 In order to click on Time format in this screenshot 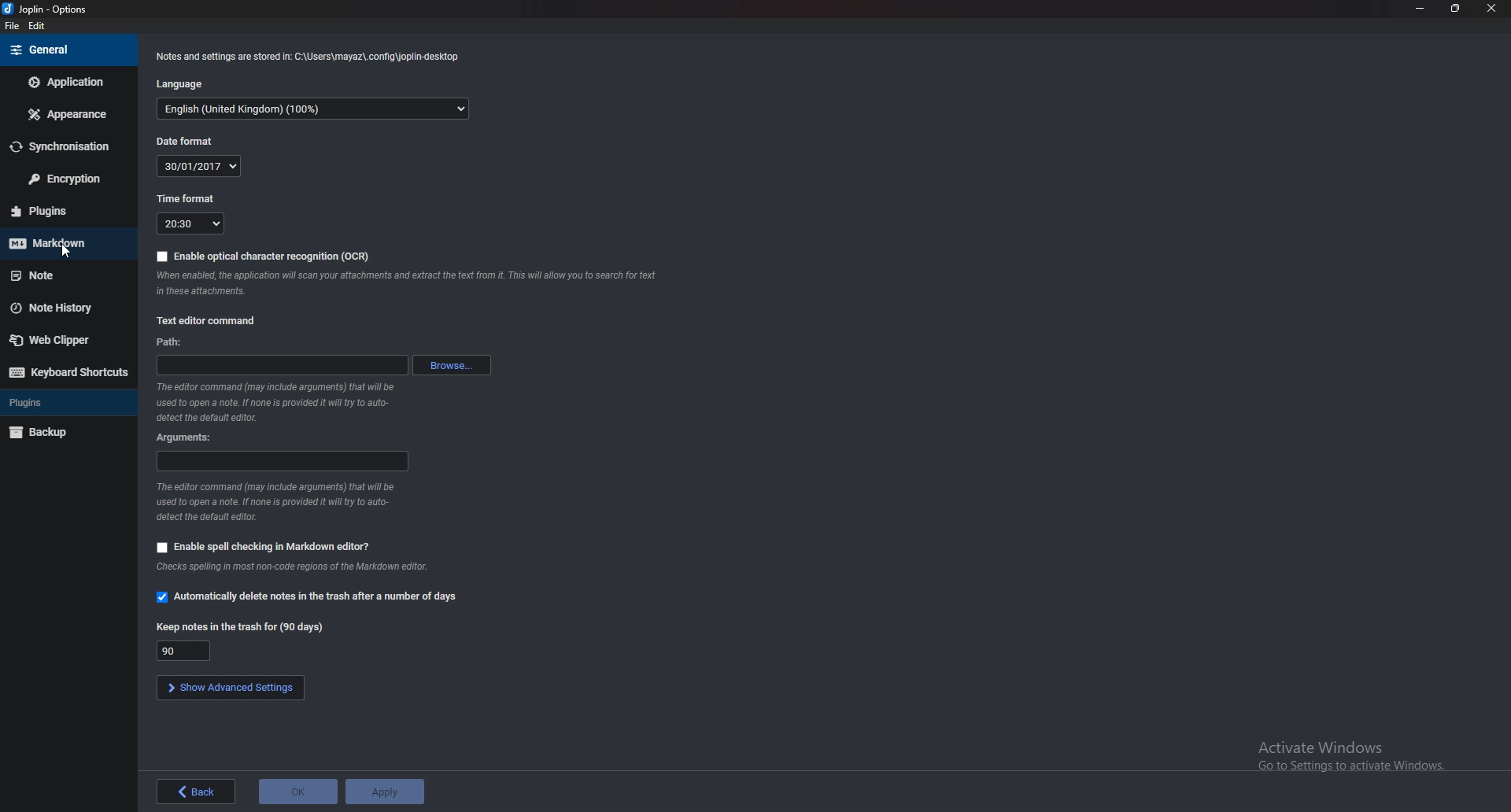, I will do `click(186, 199)`.